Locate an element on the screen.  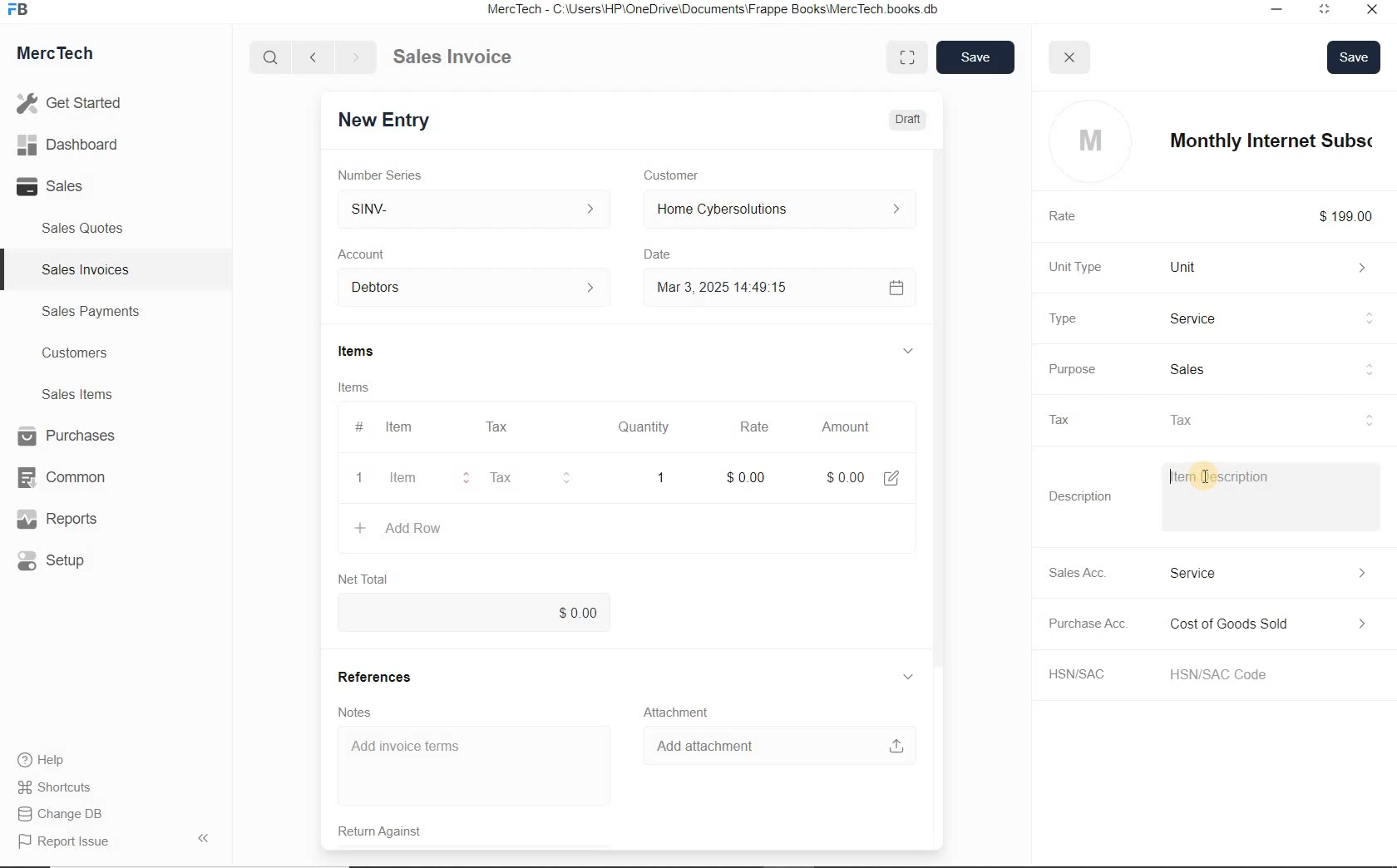
hide sub menu is located at coordinates (909, 677).